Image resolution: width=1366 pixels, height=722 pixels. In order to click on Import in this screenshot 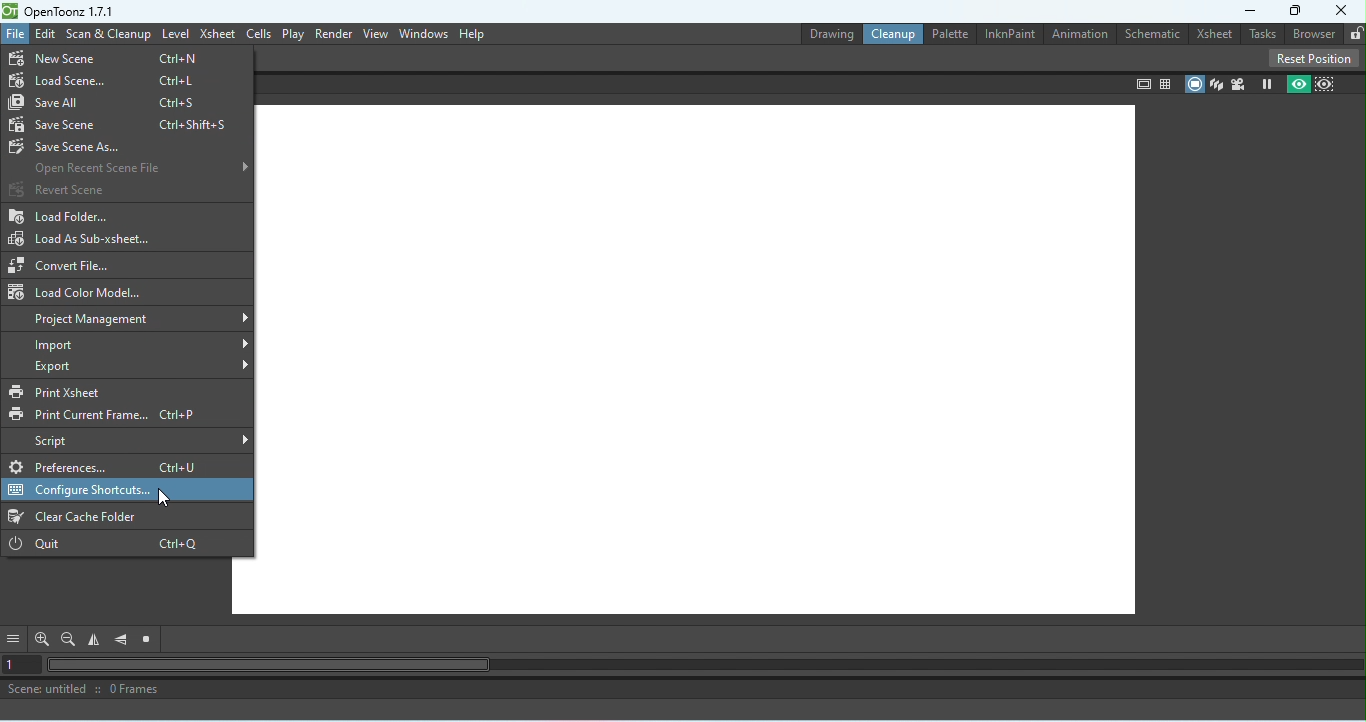, I will do `click(139, 341)`.